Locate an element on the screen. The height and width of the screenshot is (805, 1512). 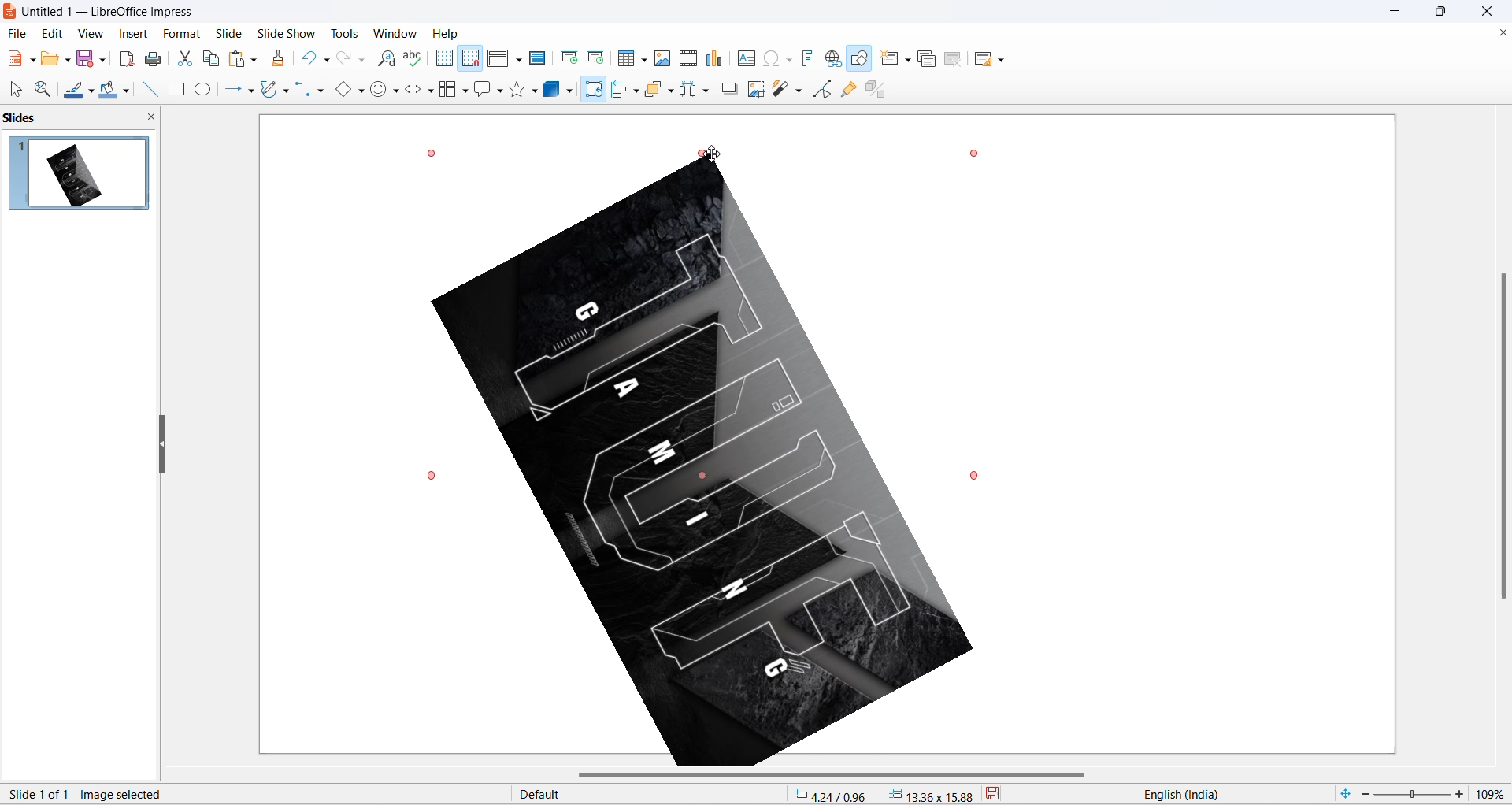
insert special characters is located at coordinates (769, 57).